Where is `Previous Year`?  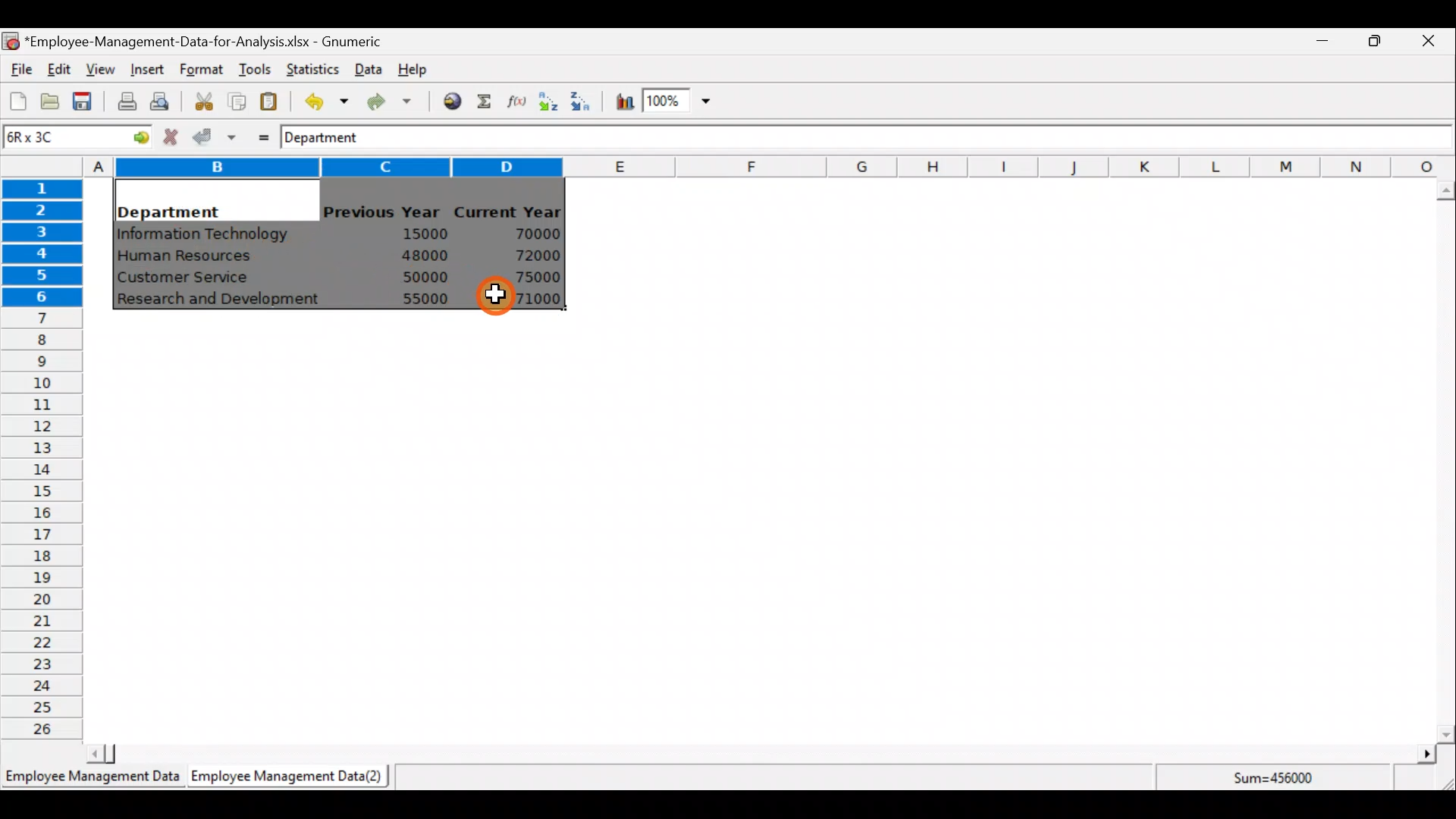
Previous Year is located at coordinates (382, 212).